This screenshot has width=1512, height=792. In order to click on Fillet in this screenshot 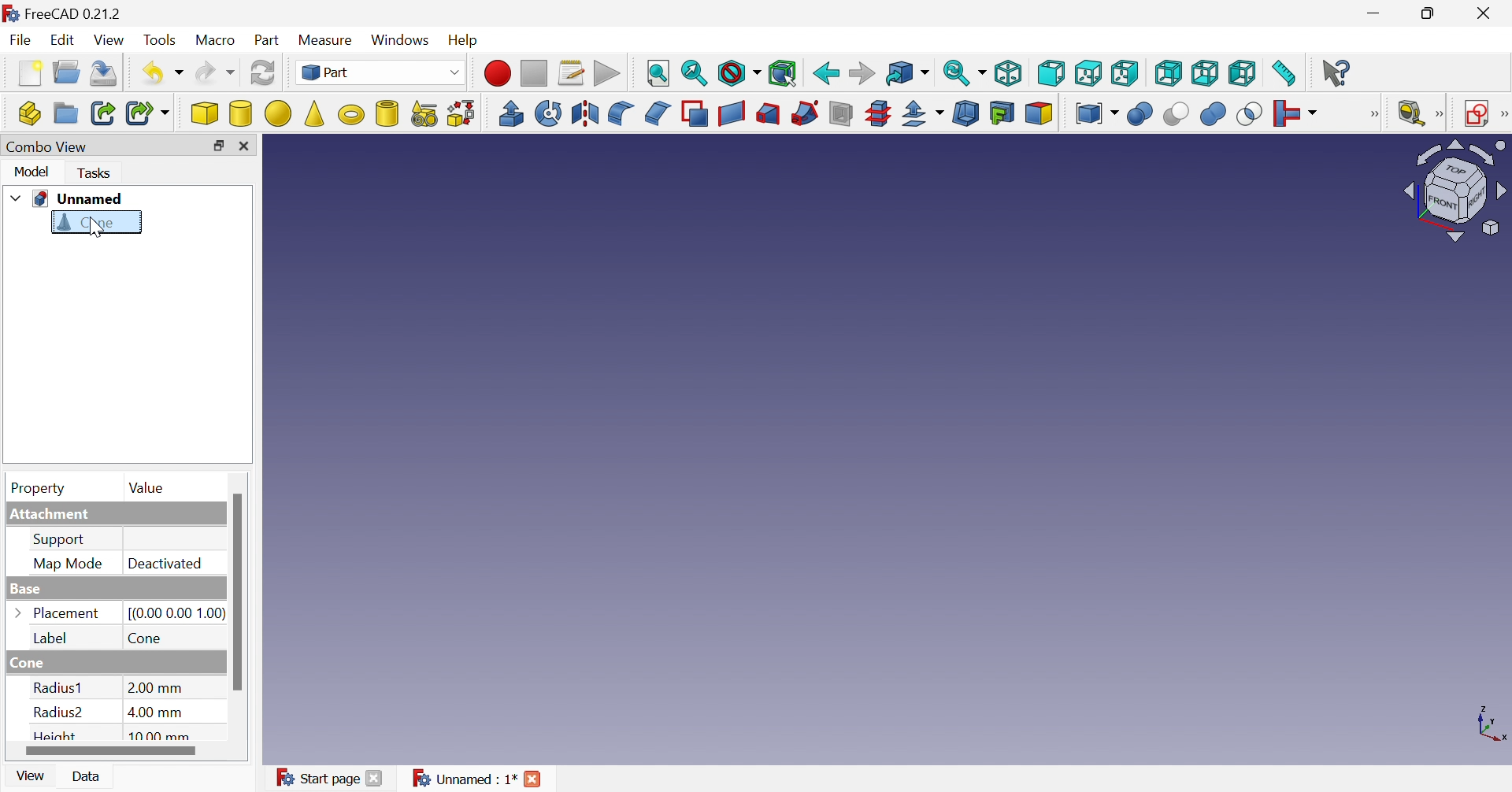, I will do `click(622, 115)`.